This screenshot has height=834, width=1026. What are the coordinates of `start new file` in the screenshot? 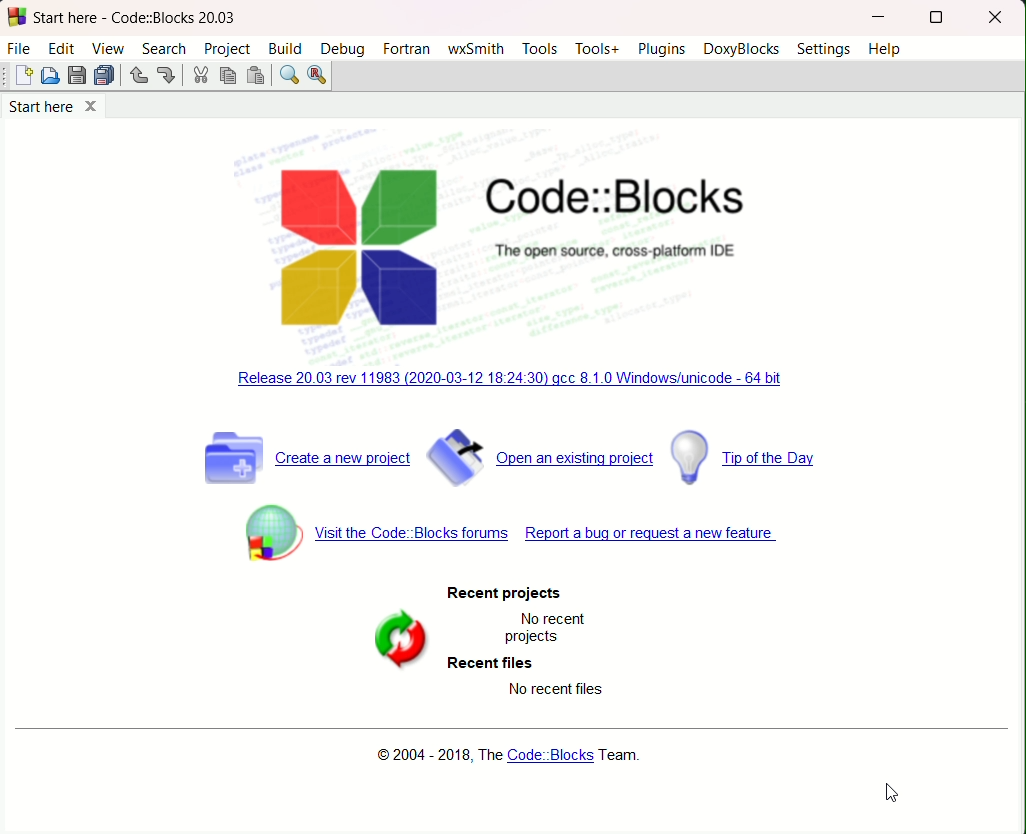 It's located at (26, 77).